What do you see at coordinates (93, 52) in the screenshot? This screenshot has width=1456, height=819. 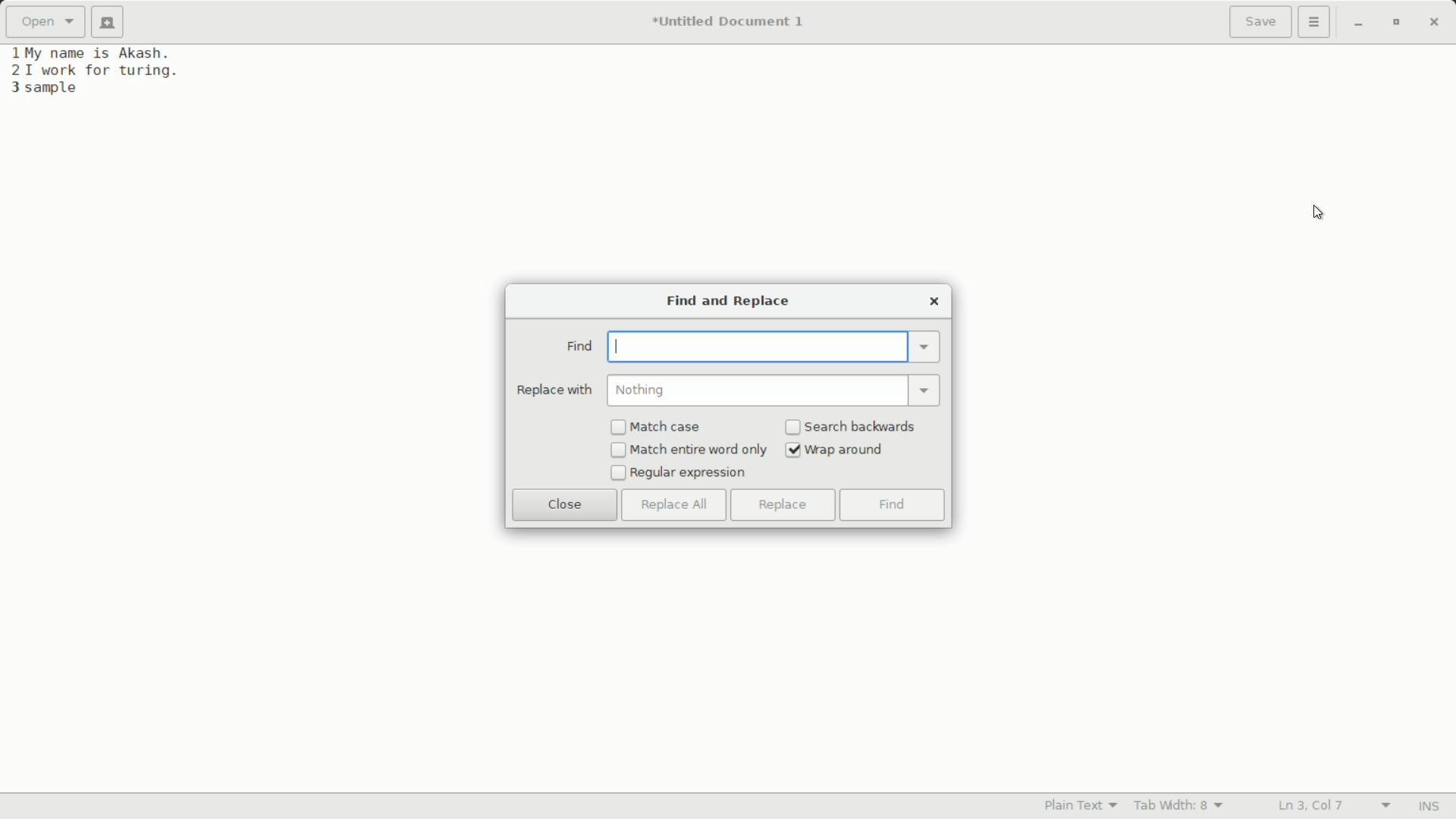 I see `1My name is Akash.` at bounding box center [93, 52].